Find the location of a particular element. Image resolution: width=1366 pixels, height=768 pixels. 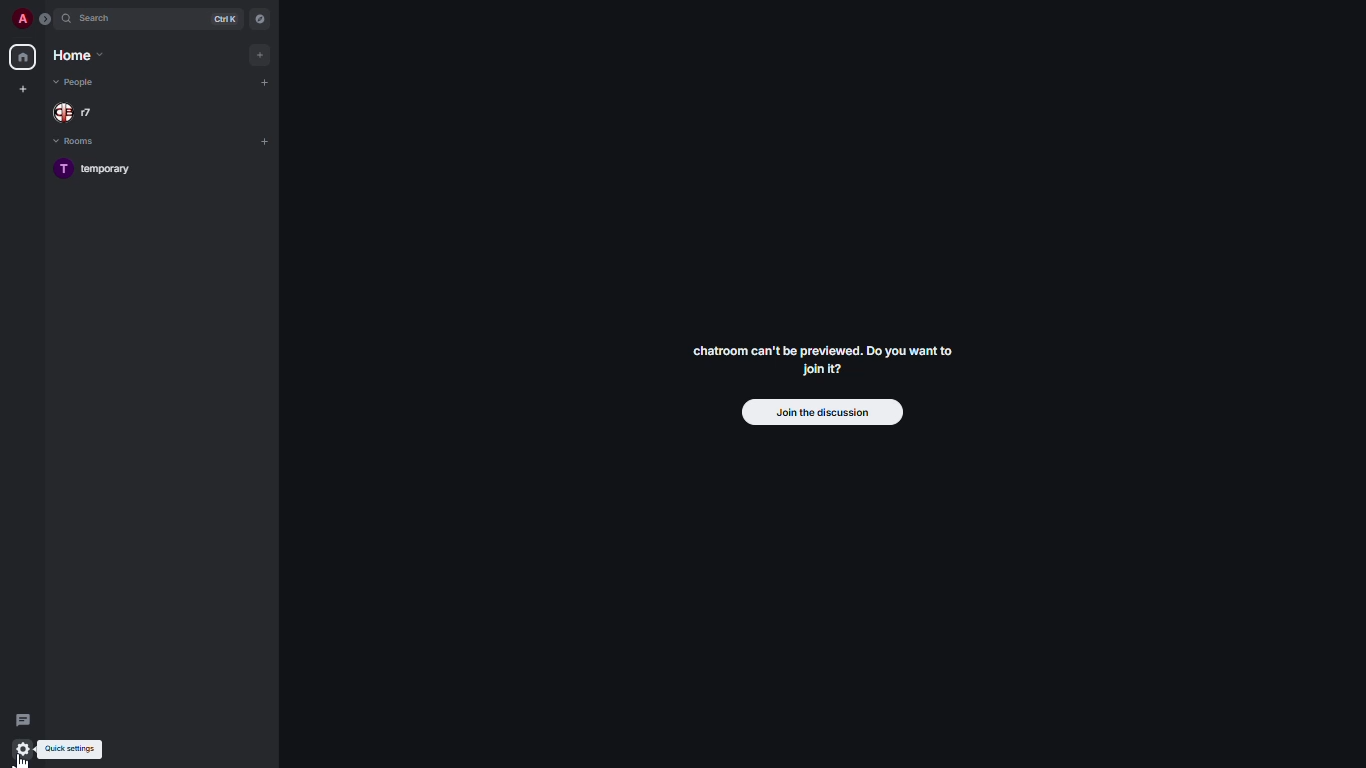

home is located at coordinates (24, 58).